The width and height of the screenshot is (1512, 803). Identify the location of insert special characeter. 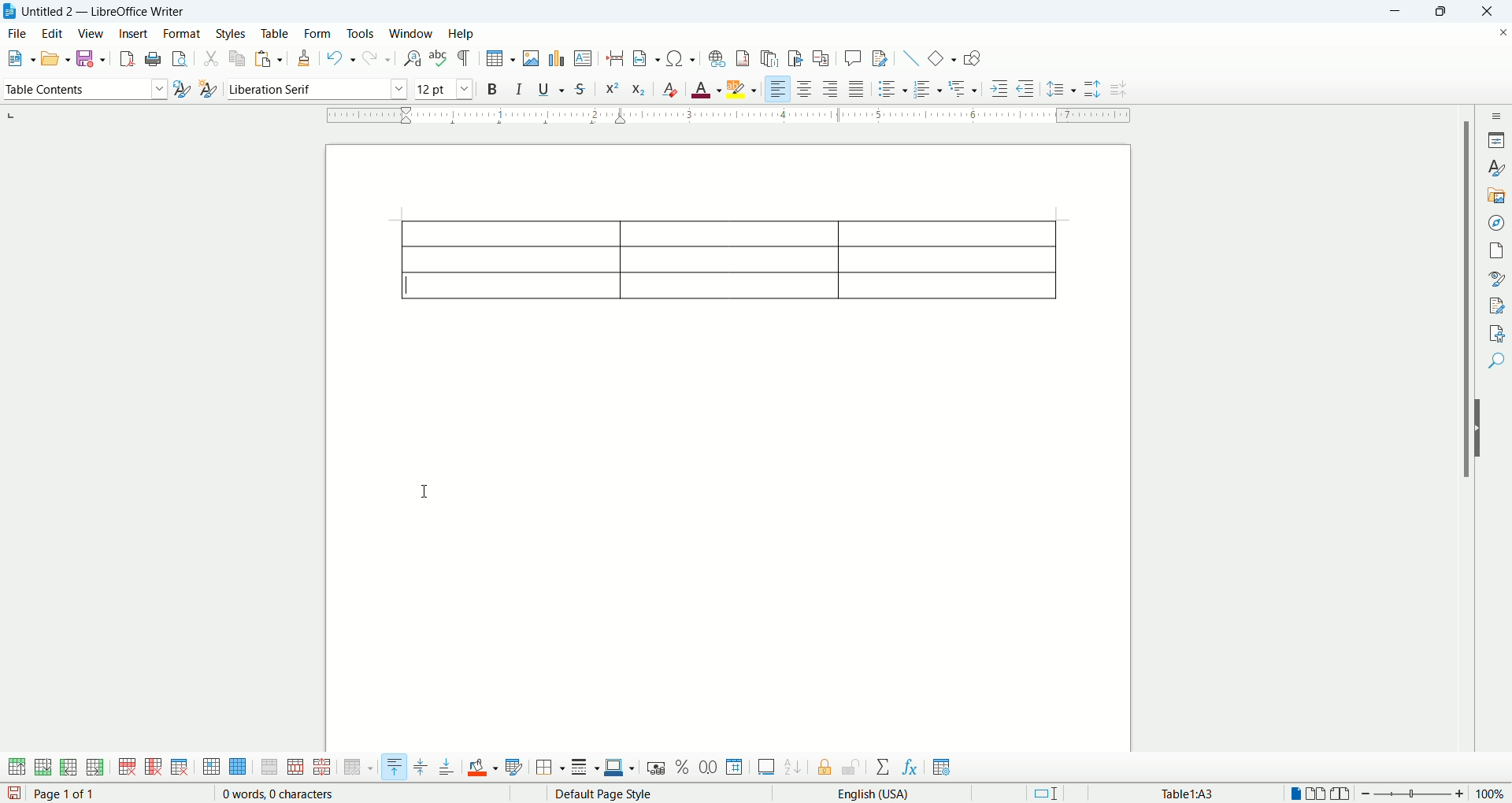
(680, 57).